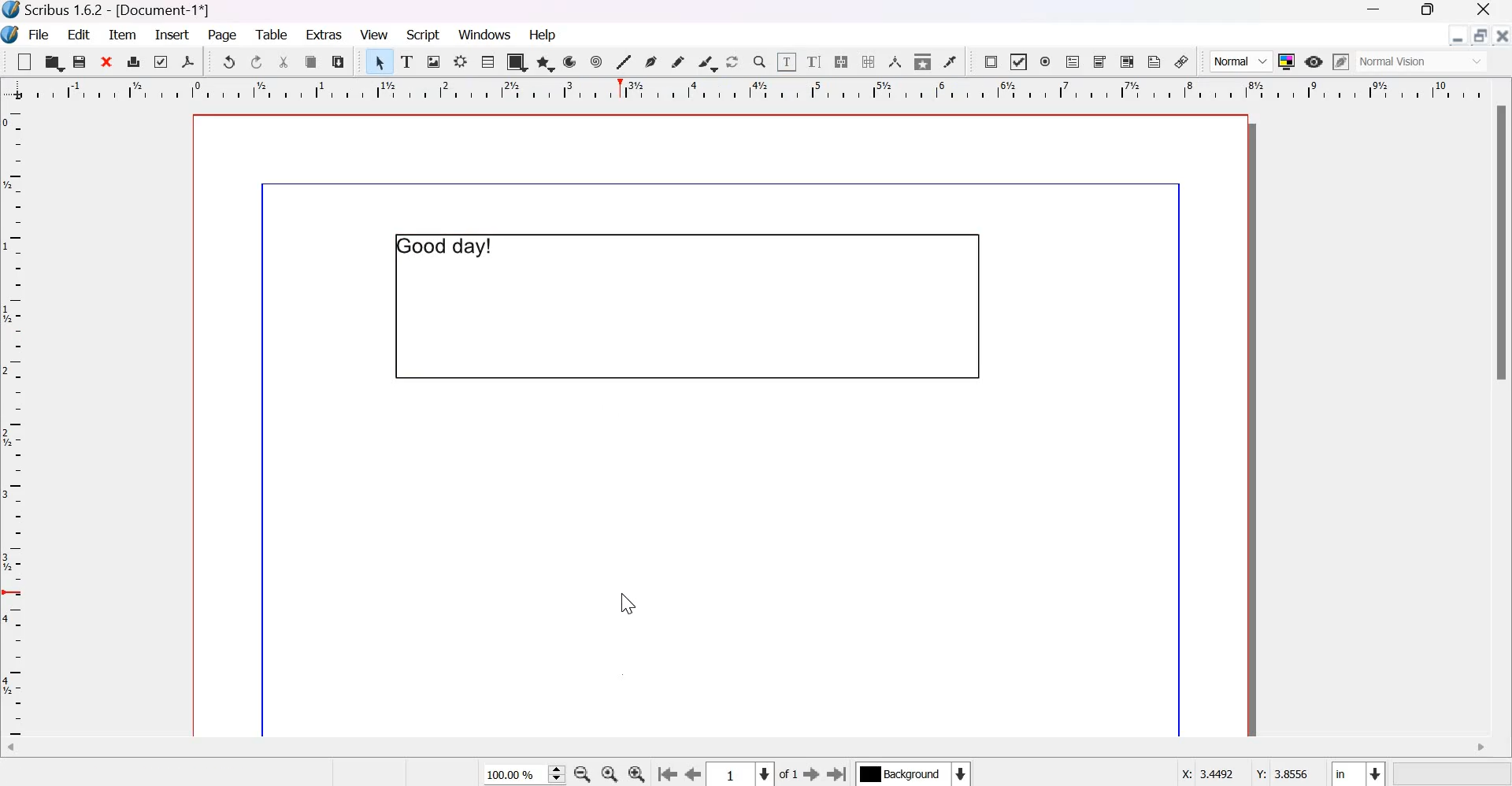 This screenshot has height=786, width=1512. What do you see at coordinates (1503, 244) in the screenshot?
I see `Scrollbar` at bounding box center [1503, 244].